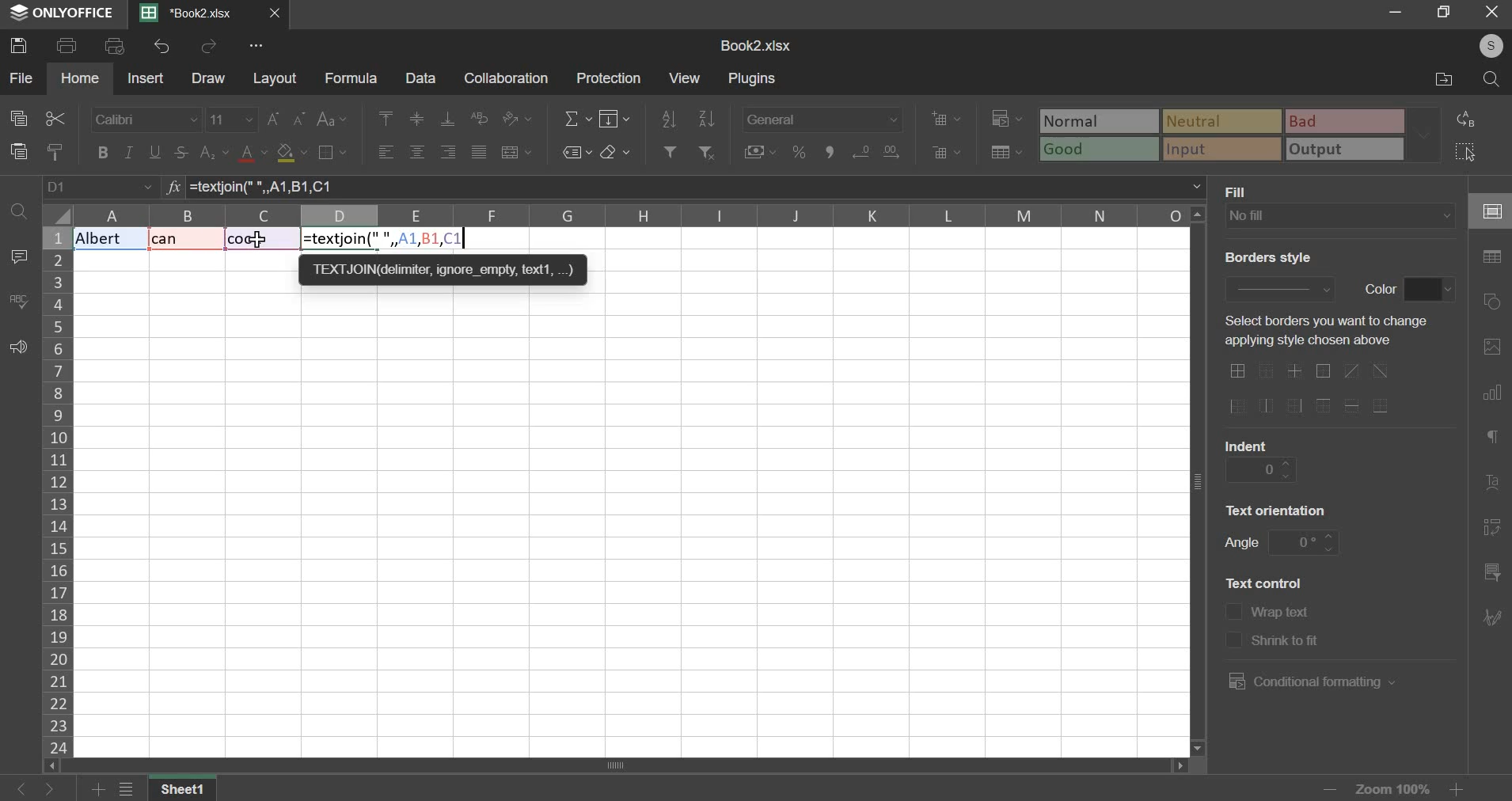 The width and height of the screenshot is (1512, 801). I want to click on delete cells, so click(947, 152).